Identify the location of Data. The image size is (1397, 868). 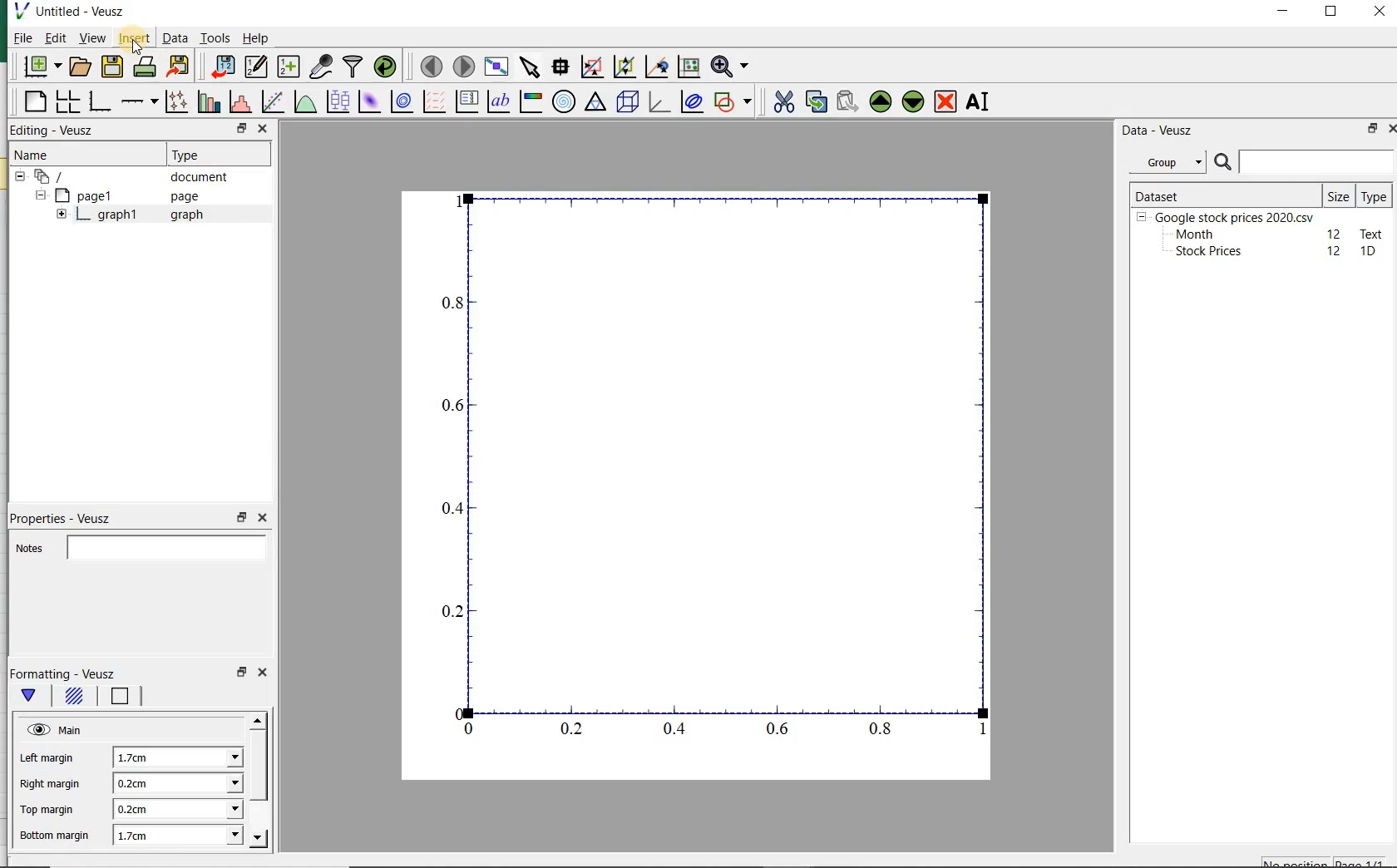
(175, 40).